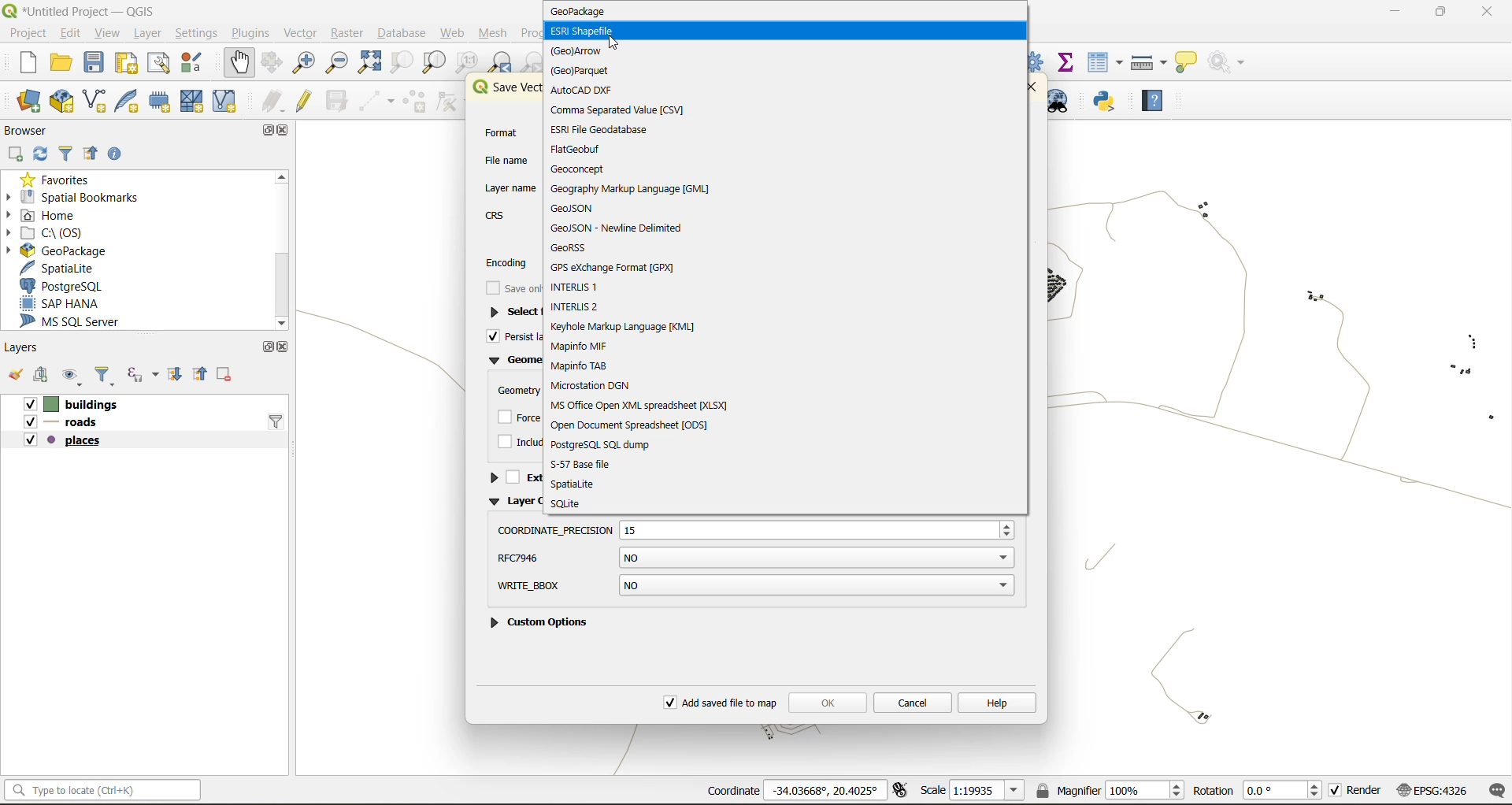  Describe the element at coordinates (309, 99) in the screenshot. I see `toggle edits` at that location.